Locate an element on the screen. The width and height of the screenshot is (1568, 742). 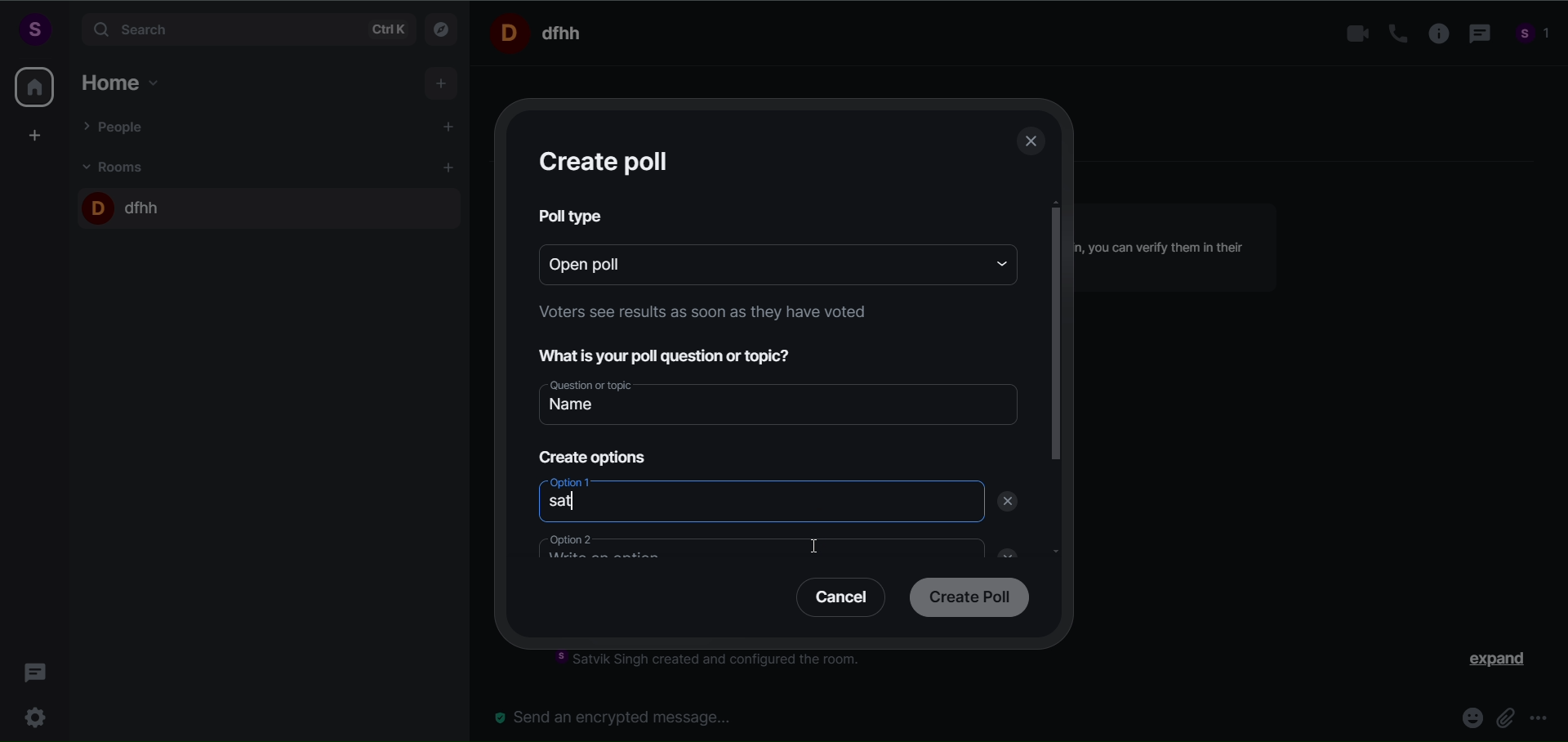
question or topic is located at coordinates (782, 400).